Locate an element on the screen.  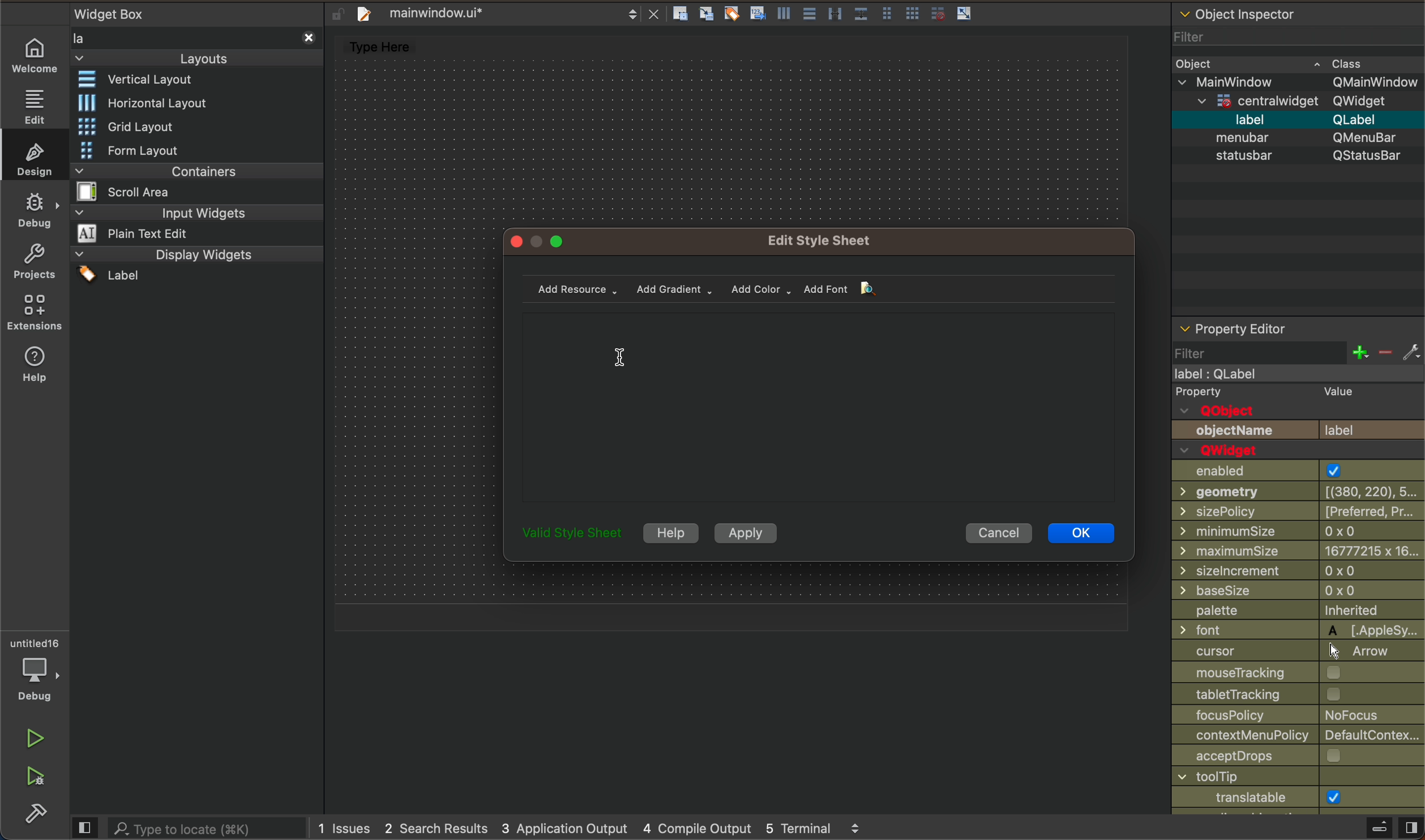
cursor is located at coordinates (1284, 652).